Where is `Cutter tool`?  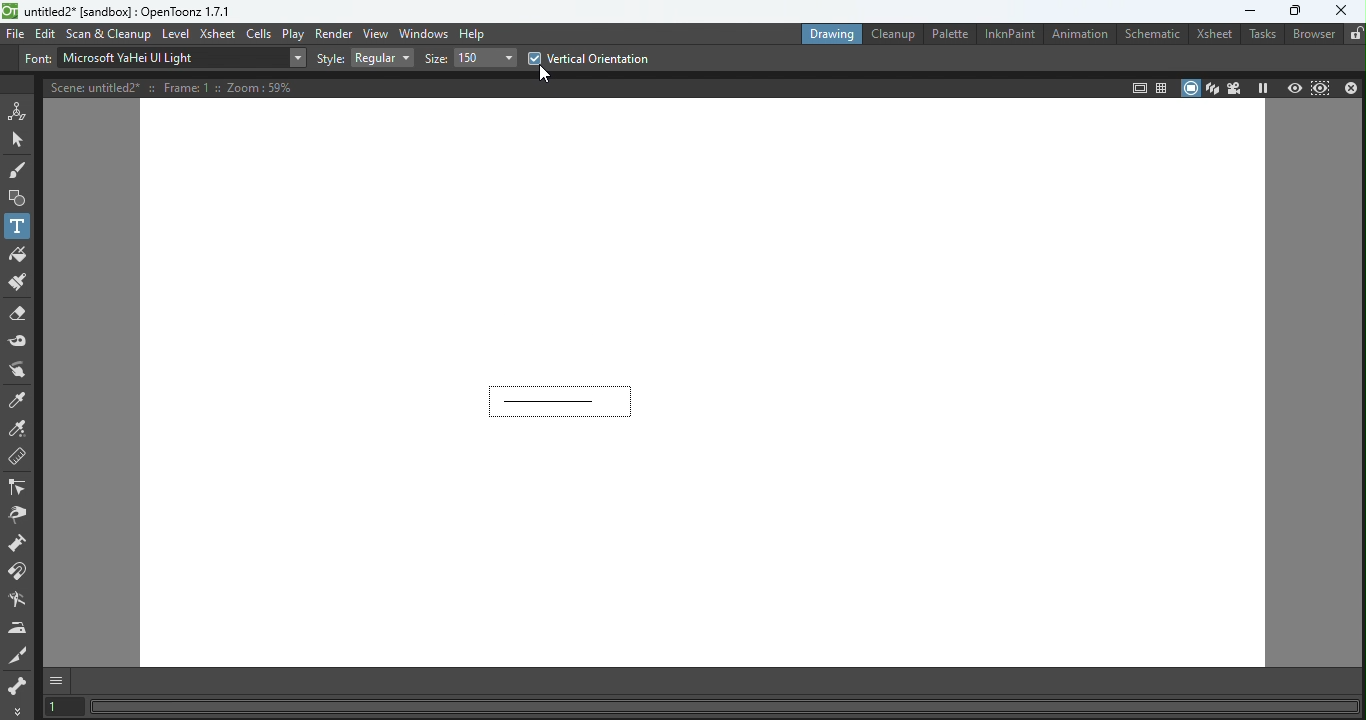
Cutter tool is located at coordinates (16, 654).